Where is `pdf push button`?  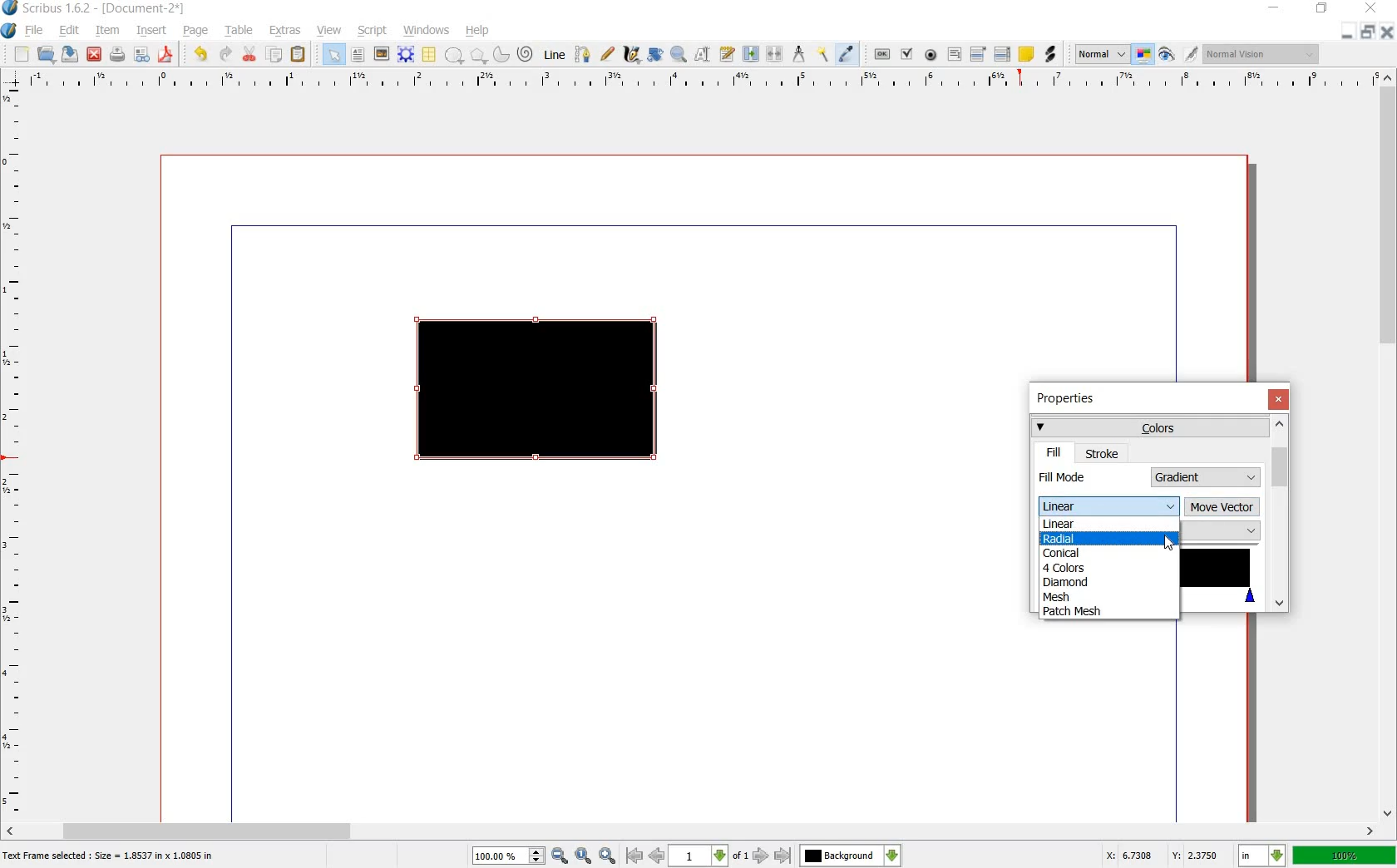 pdf push button is located at coordinates (882, 52).